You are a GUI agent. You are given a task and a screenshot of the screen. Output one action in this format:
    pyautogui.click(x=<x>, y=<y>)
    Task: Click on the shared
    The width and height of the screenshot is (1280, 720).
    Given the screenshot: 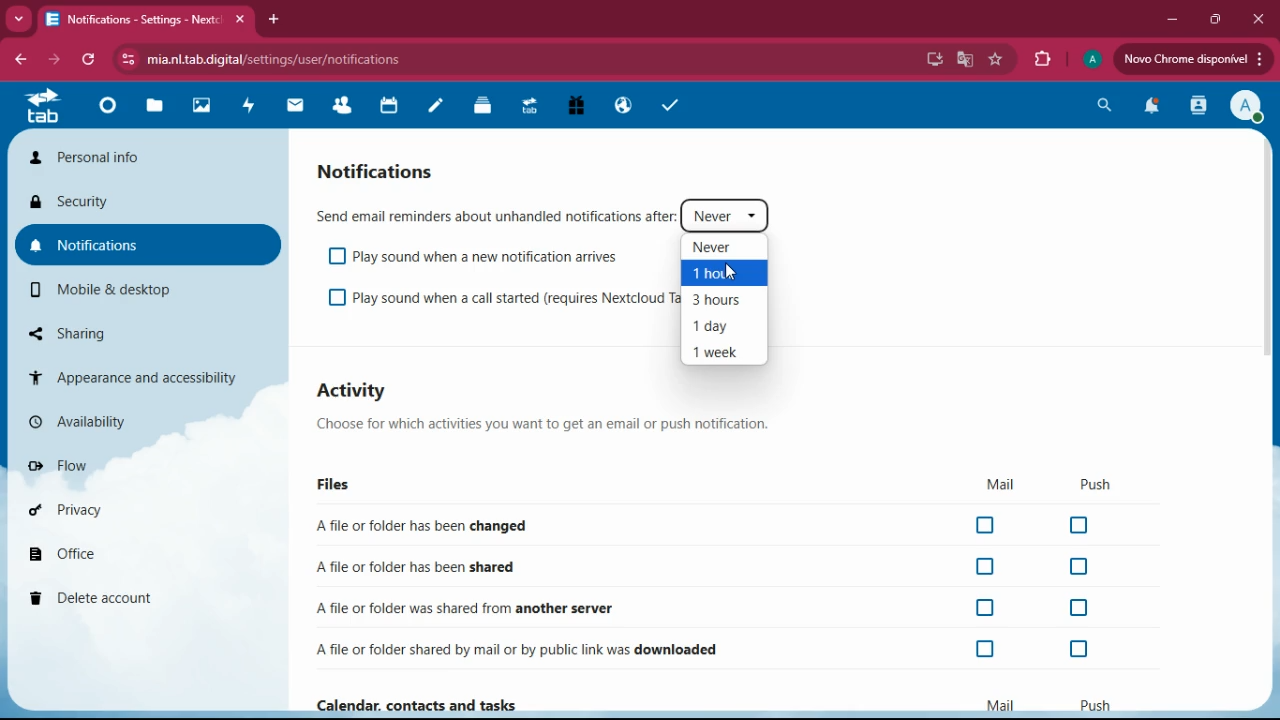 What is the action you would take?
    pyautogui.click(x=421, y=569)
    